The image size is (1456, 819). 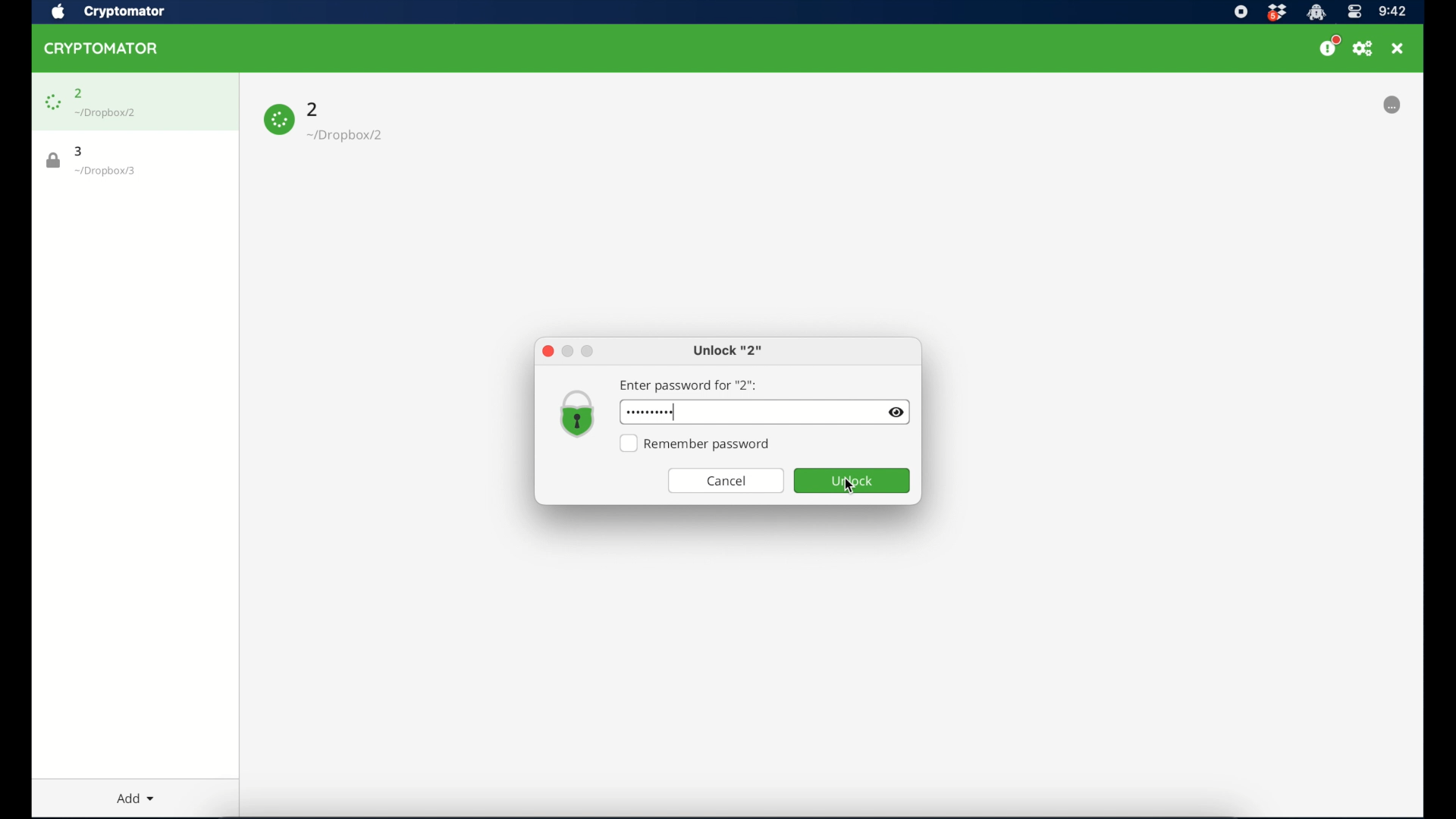 What do you see at coordinates (1354, 12) in the screenshot?
I see `control  center` at bounding box center [1354, 12].